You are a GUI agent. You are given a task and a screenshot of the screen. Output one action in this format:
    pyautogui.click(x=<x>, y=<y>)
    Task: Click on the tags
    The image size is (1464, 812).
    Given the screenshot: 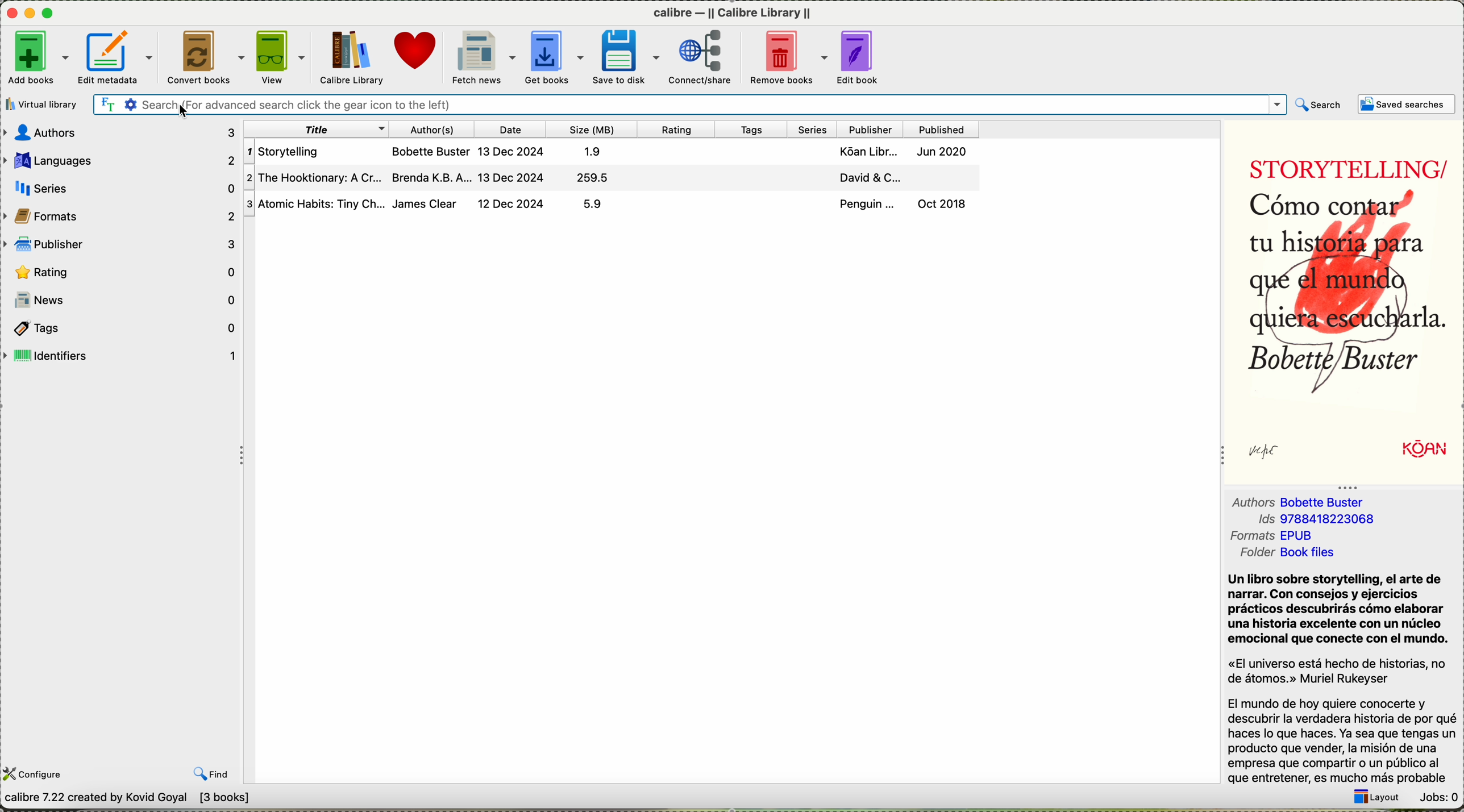 What is the action you would take?
    pyautogui.click(x=752, y=130)
    